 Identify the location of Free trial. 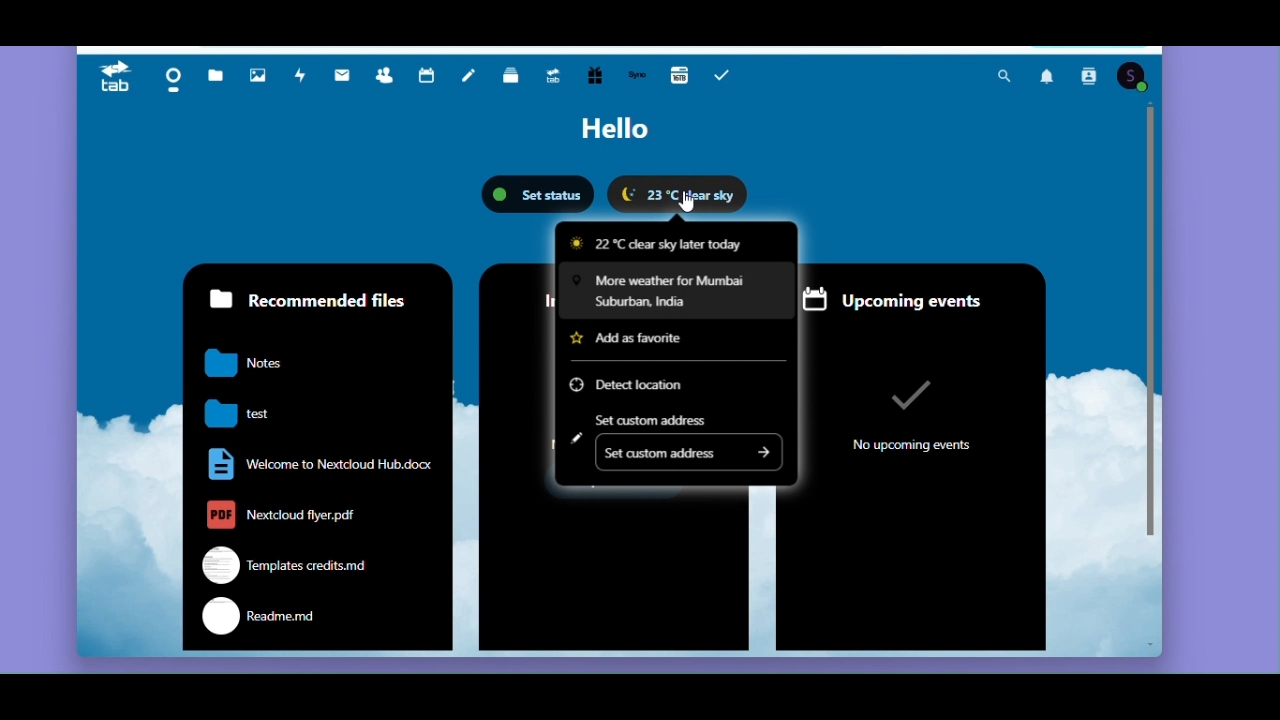
(598, 76).